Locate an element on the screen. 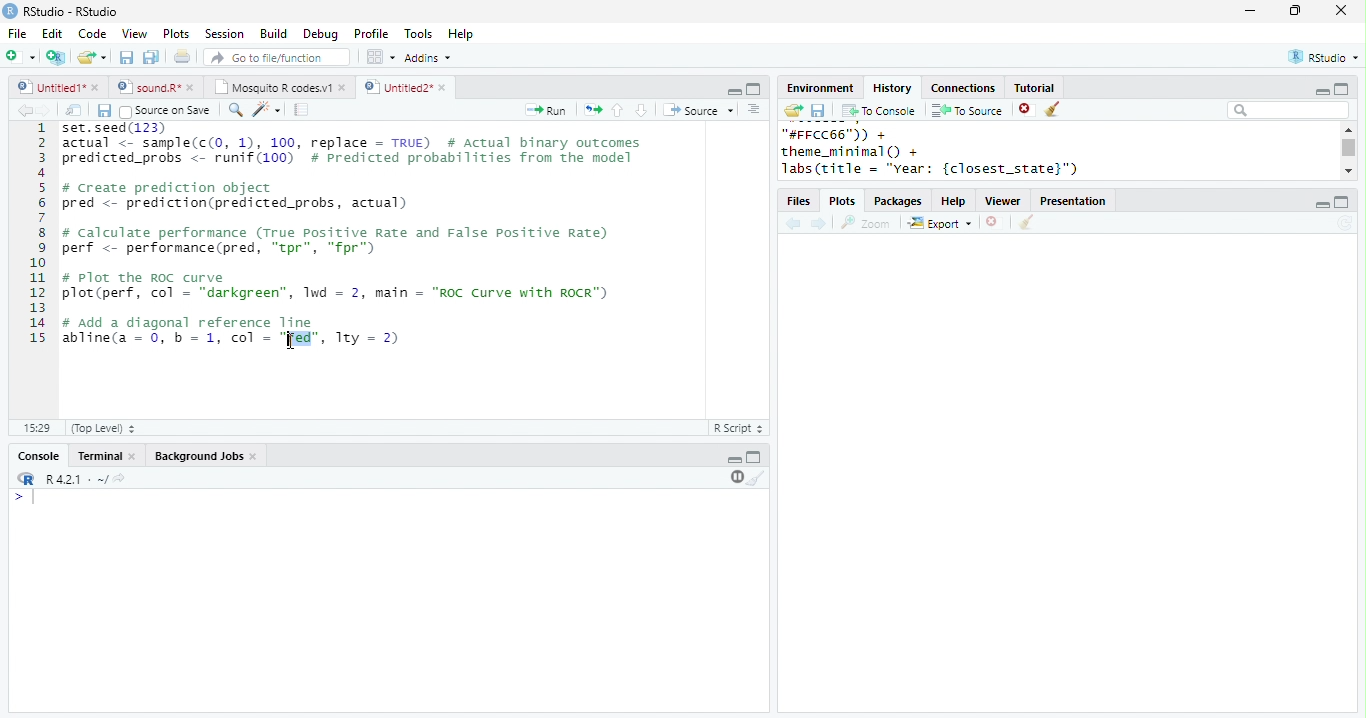 The width and height of the screenshot is (1366, 718). new project is located at coordinates (57, 57).